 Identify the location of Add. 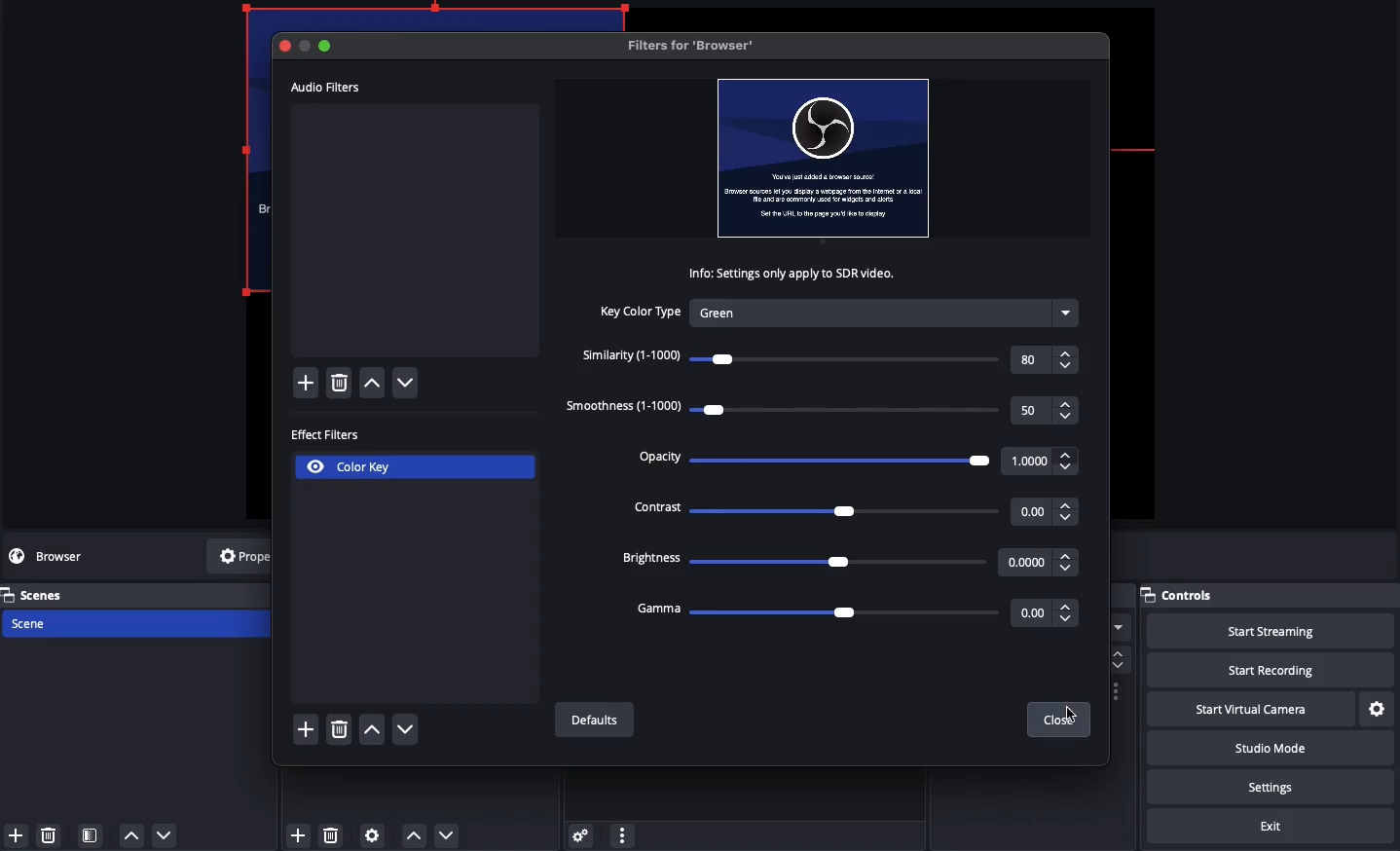
(308, 727).